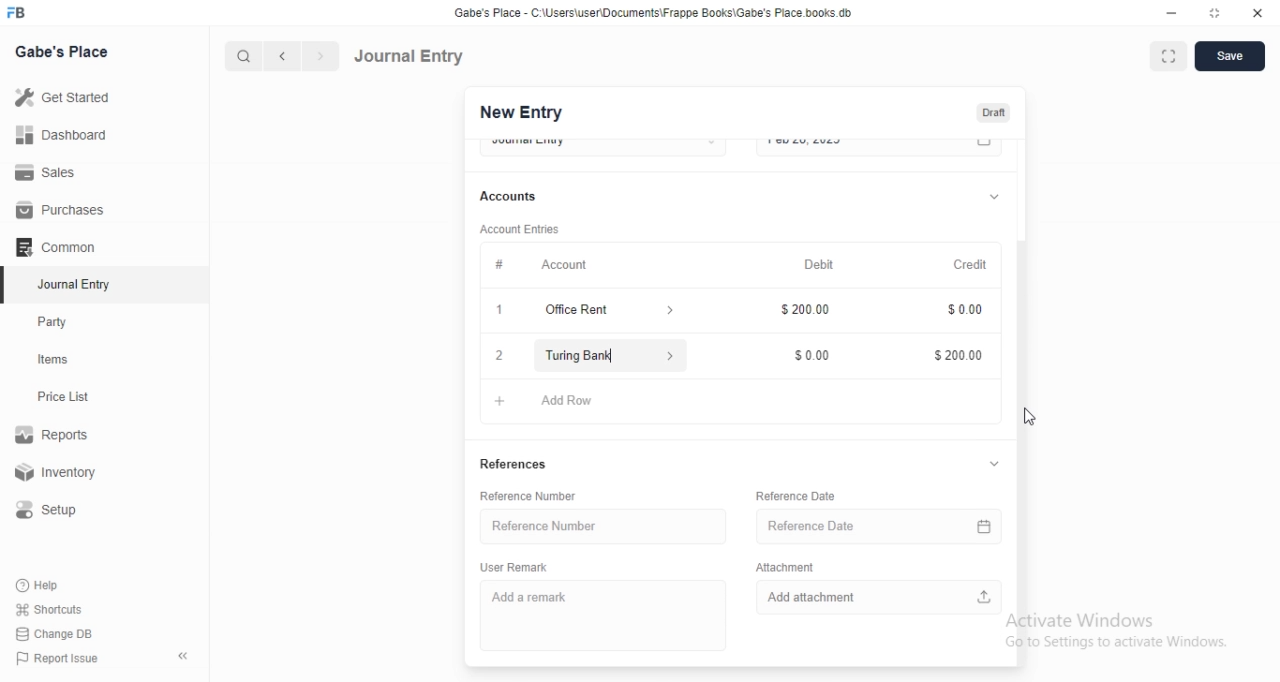  Describe the element at coordinates (241, 56) in the screenshot. I see `search` at that location.